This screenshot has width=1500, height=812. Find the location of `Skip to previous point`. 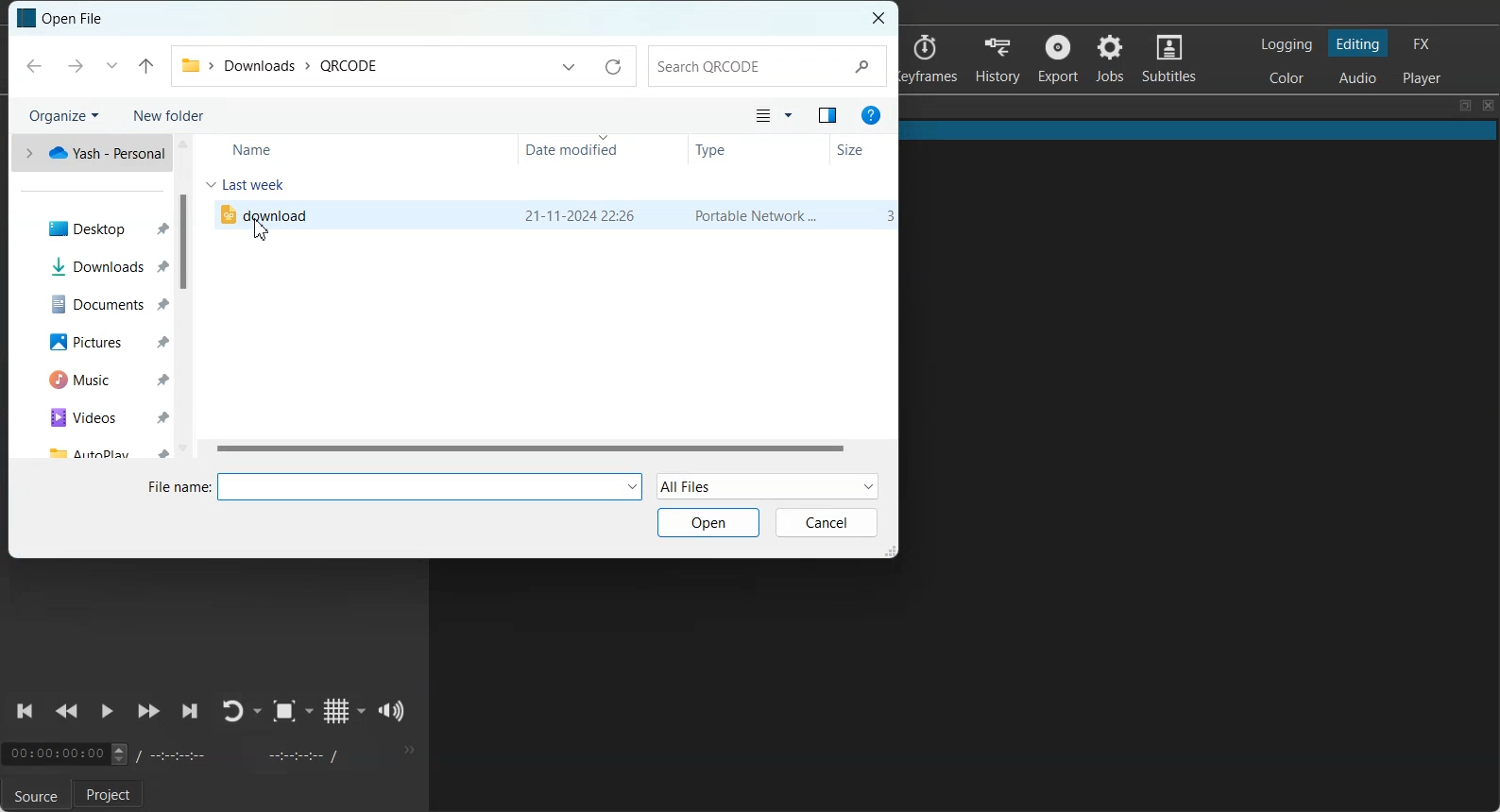

Skip to previous point is located at coordinates (26, 711).